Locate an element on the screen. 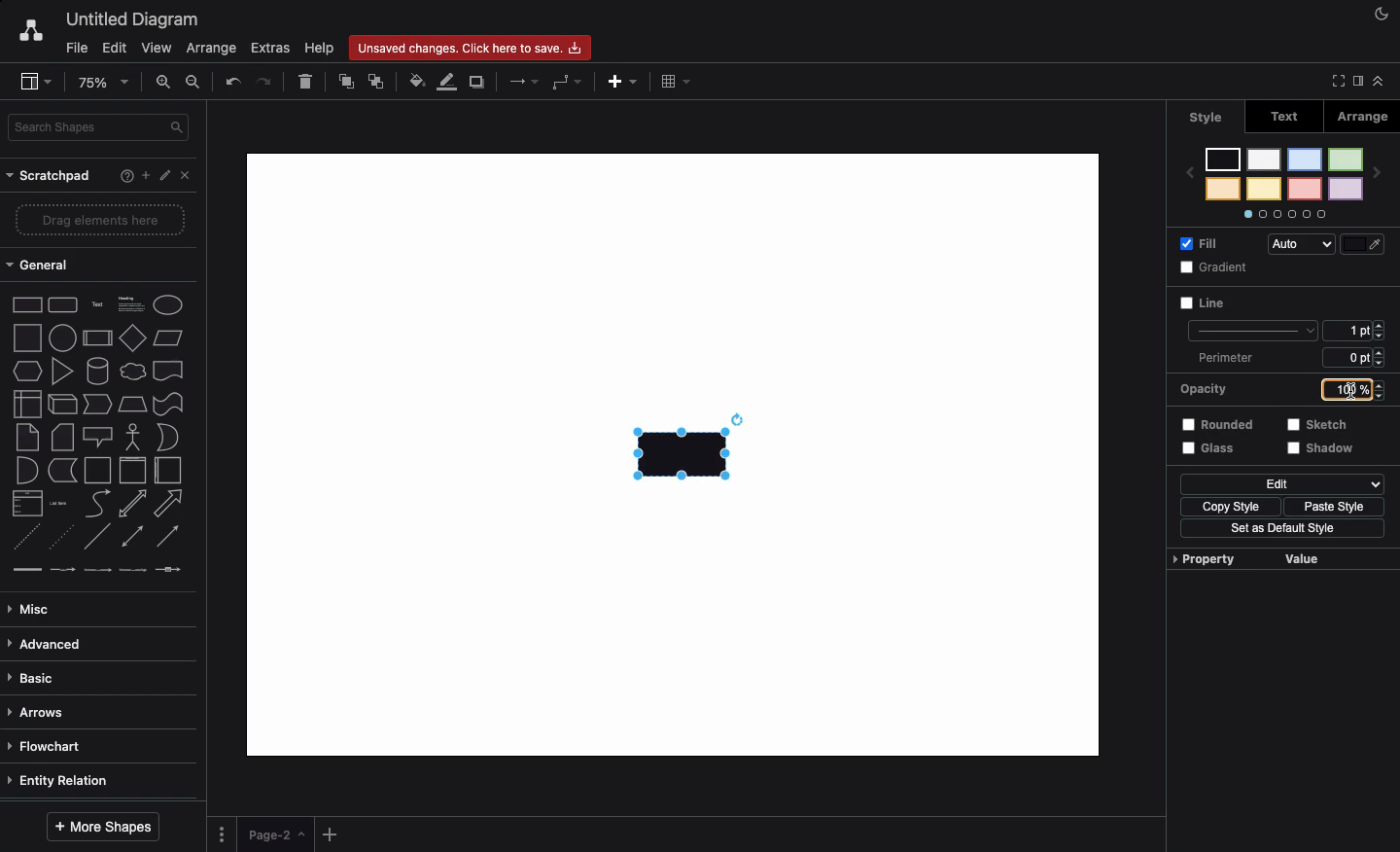  color 4 is located at coordinates (1304, 190).